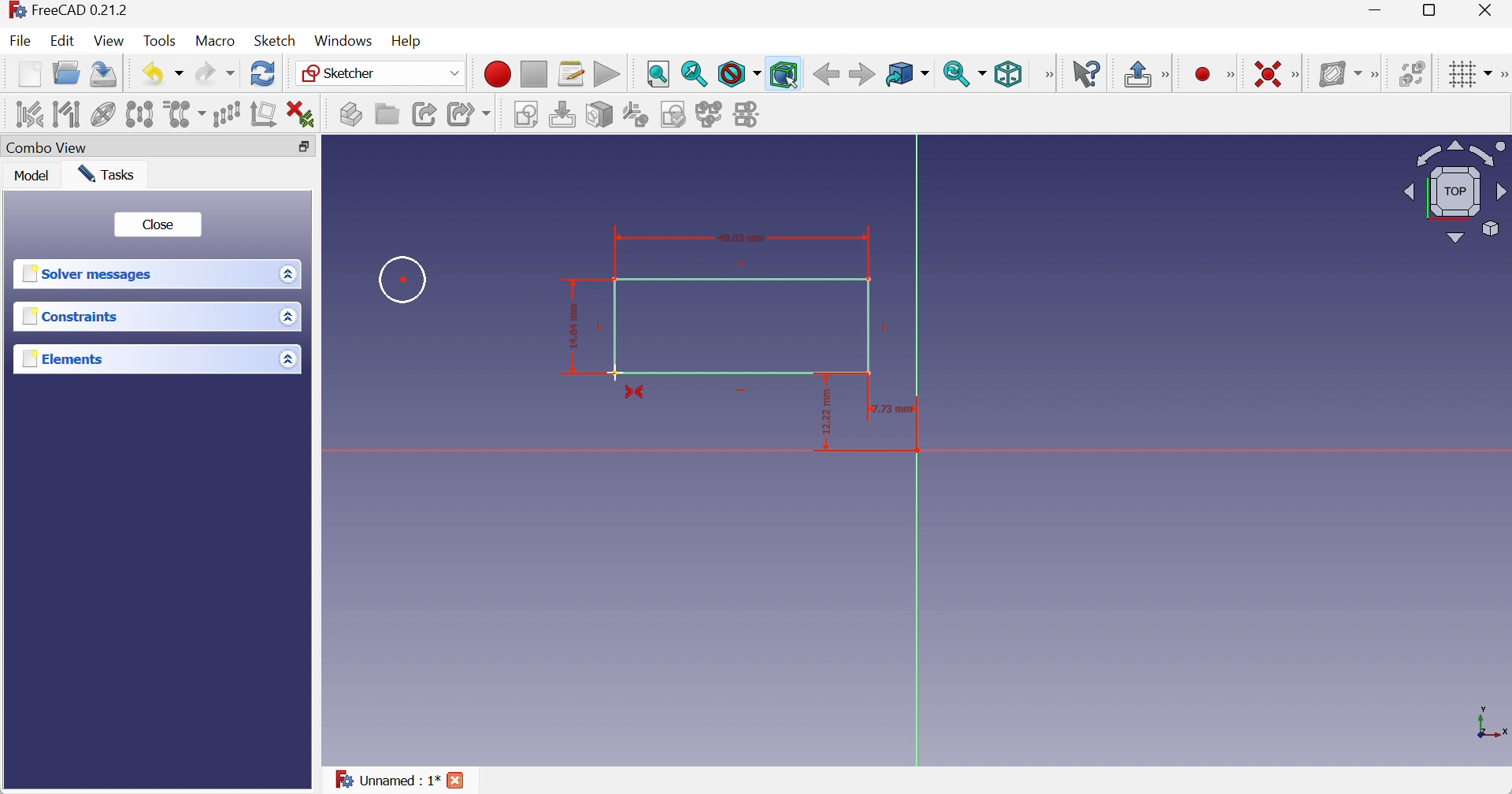 The image size is (1512, 794). I want to click on [Sketcher constraints], so click(1299, 74).